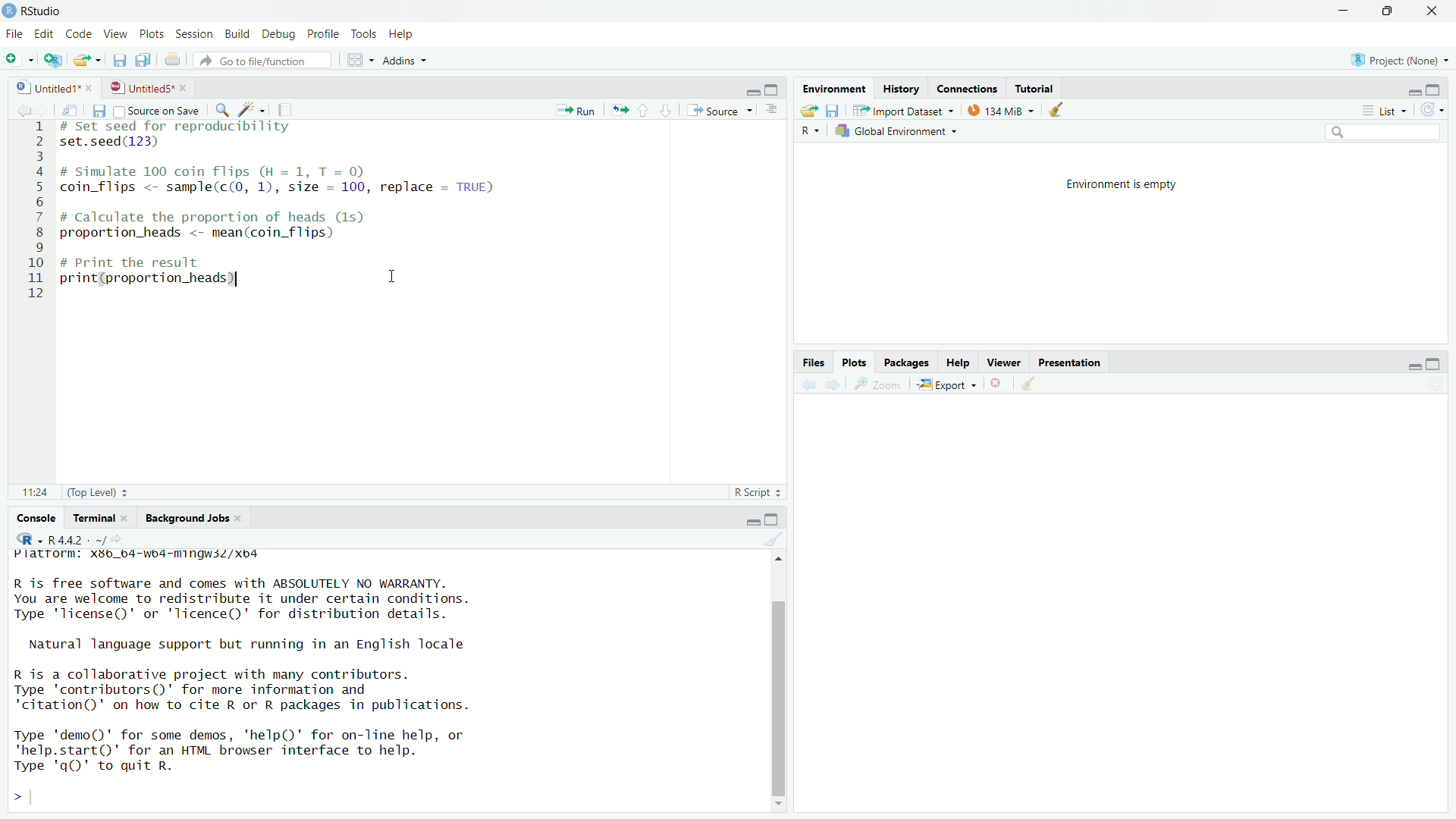 Image resolution: width=1456 pixels, height=819 pixels. Describe the element at coordinates (834, 386) in the screenshot. I see `next plot` at that location.